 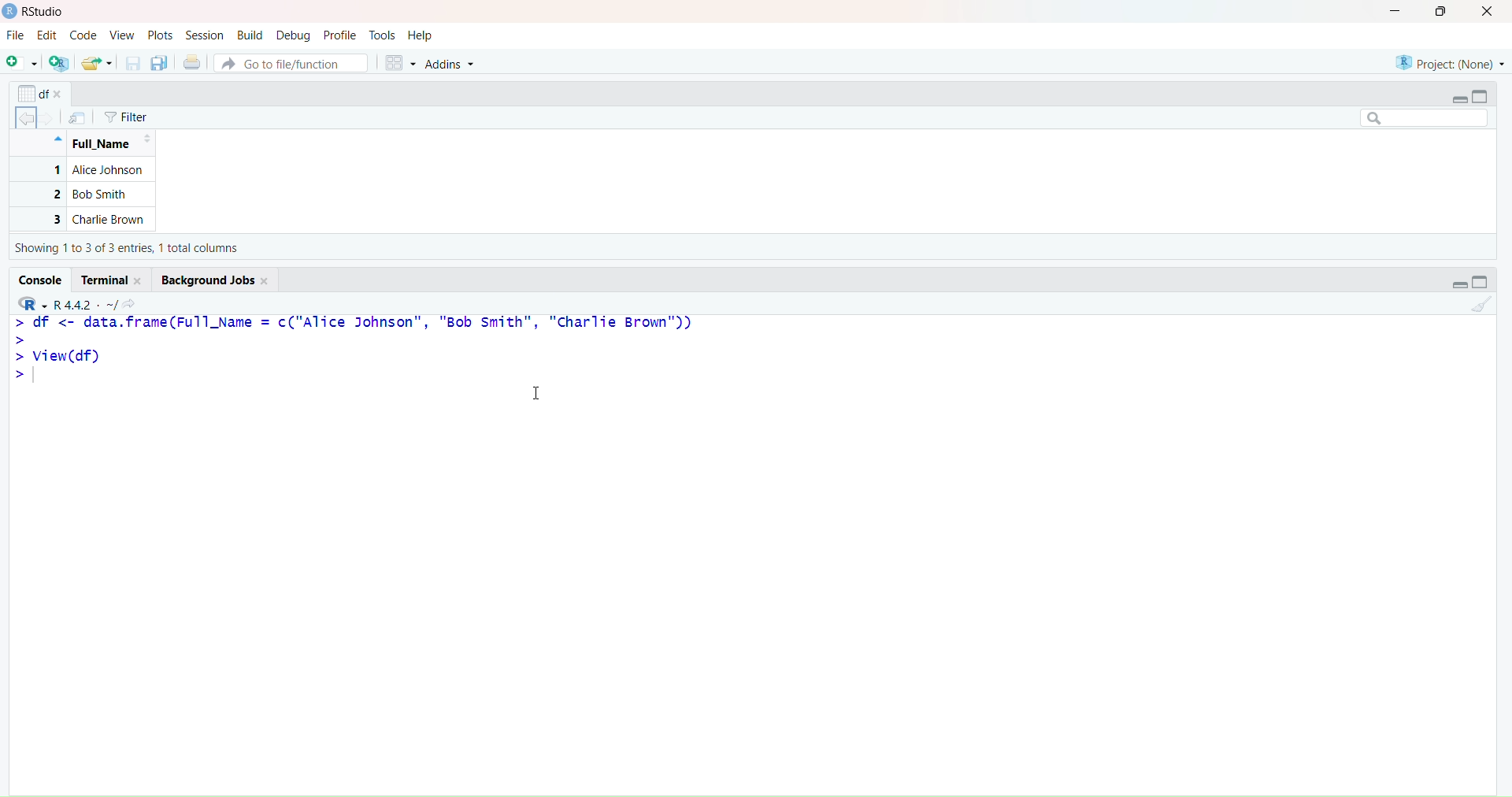 I want to click on Search bar, so click(x=1422, y=119).